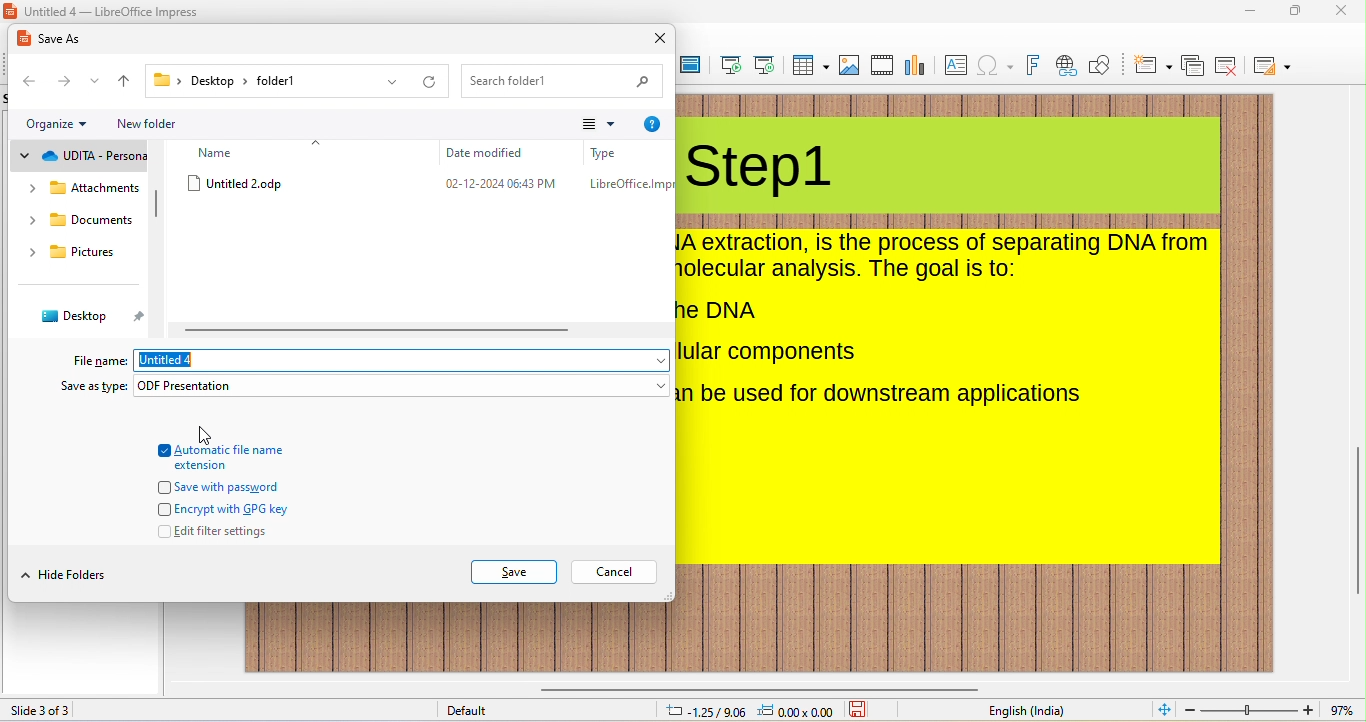 The width and height of the screenshot is (1366, 722). Describe the element at coordinates (1066, 67) in the screenshot. I see `hyperlink` at that location.